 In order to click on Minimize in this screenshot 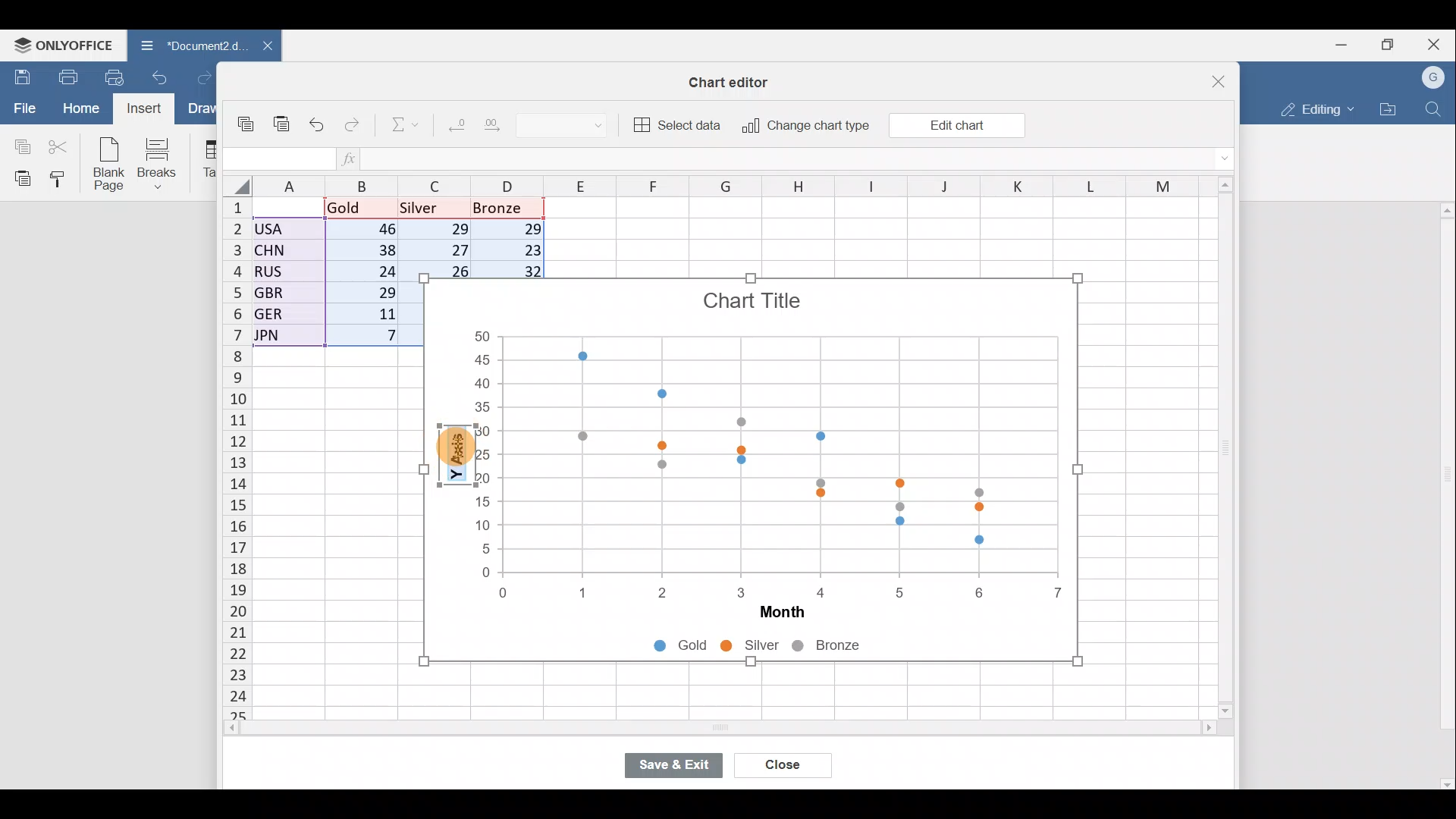, I will do `click(1338, 46)`.